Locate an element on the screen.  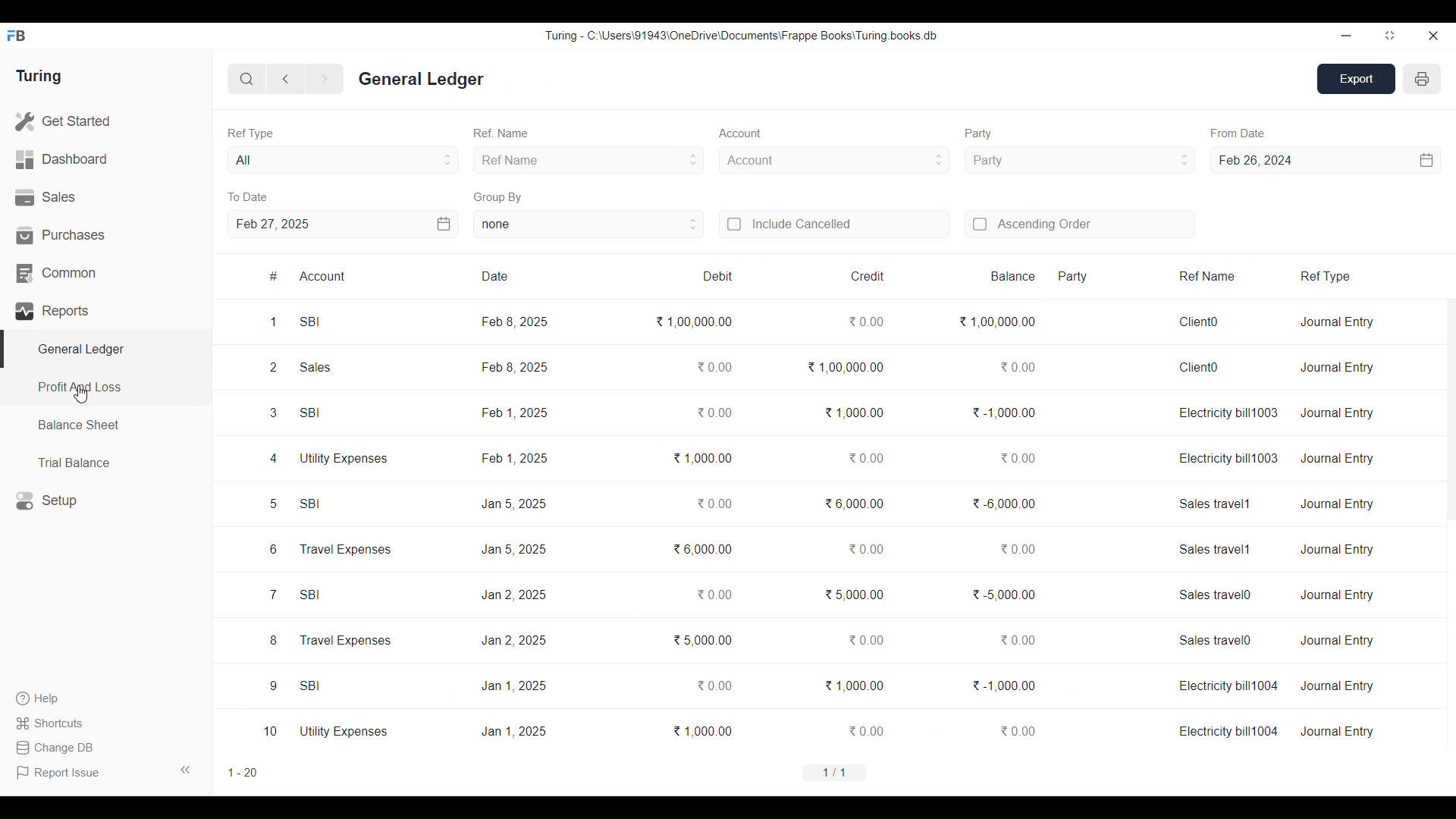
Sales is located at coordinates (105, 198).